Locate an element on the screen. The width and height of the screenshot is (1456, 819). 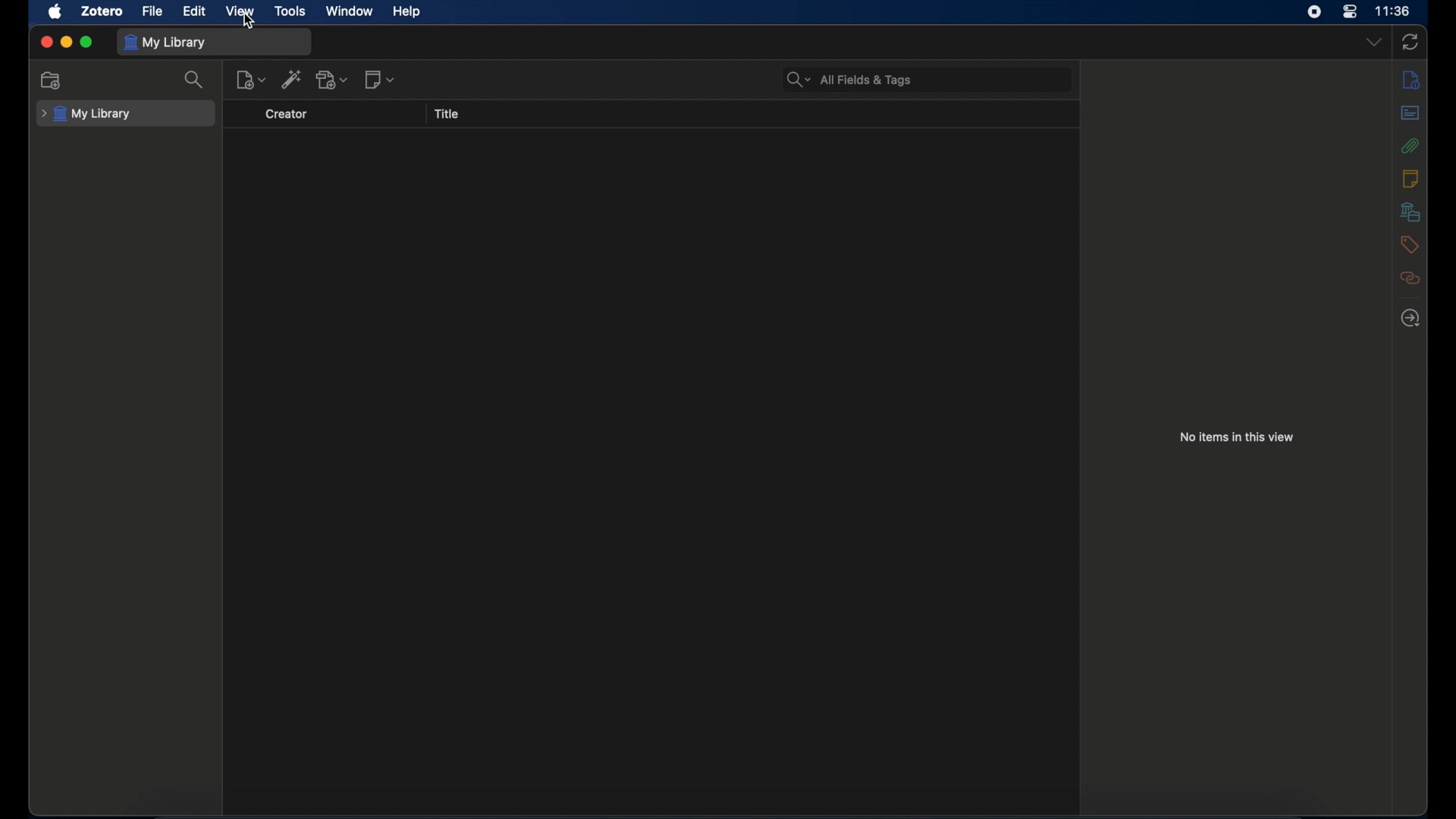
notes is located at coordinates (1411, 179).